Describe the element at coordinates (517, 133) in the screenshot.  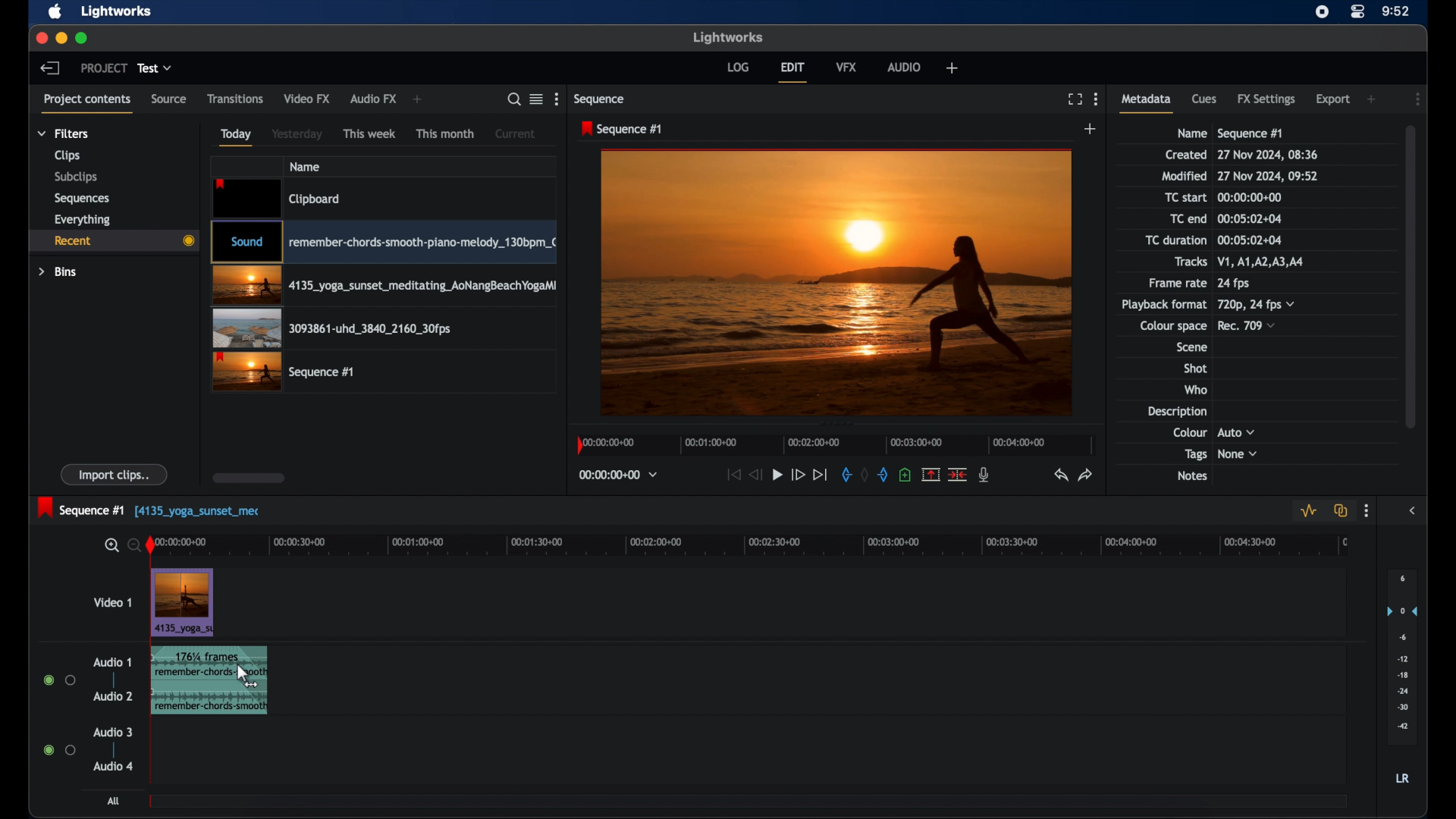
I see `current` at that location.